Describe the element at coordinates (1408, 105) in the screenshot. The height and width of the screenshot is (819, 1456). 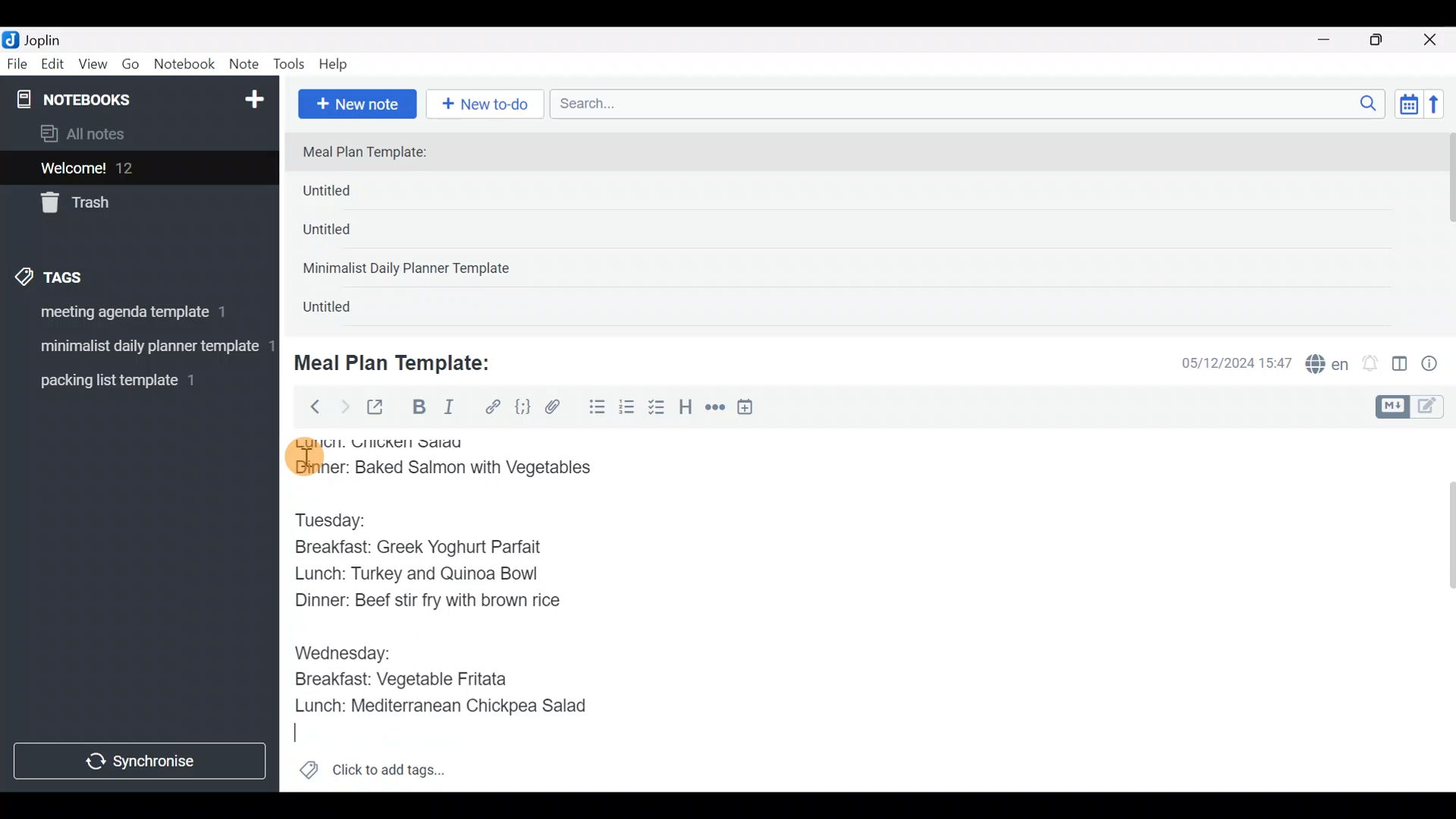
I see `Toggle sort order` at that location.